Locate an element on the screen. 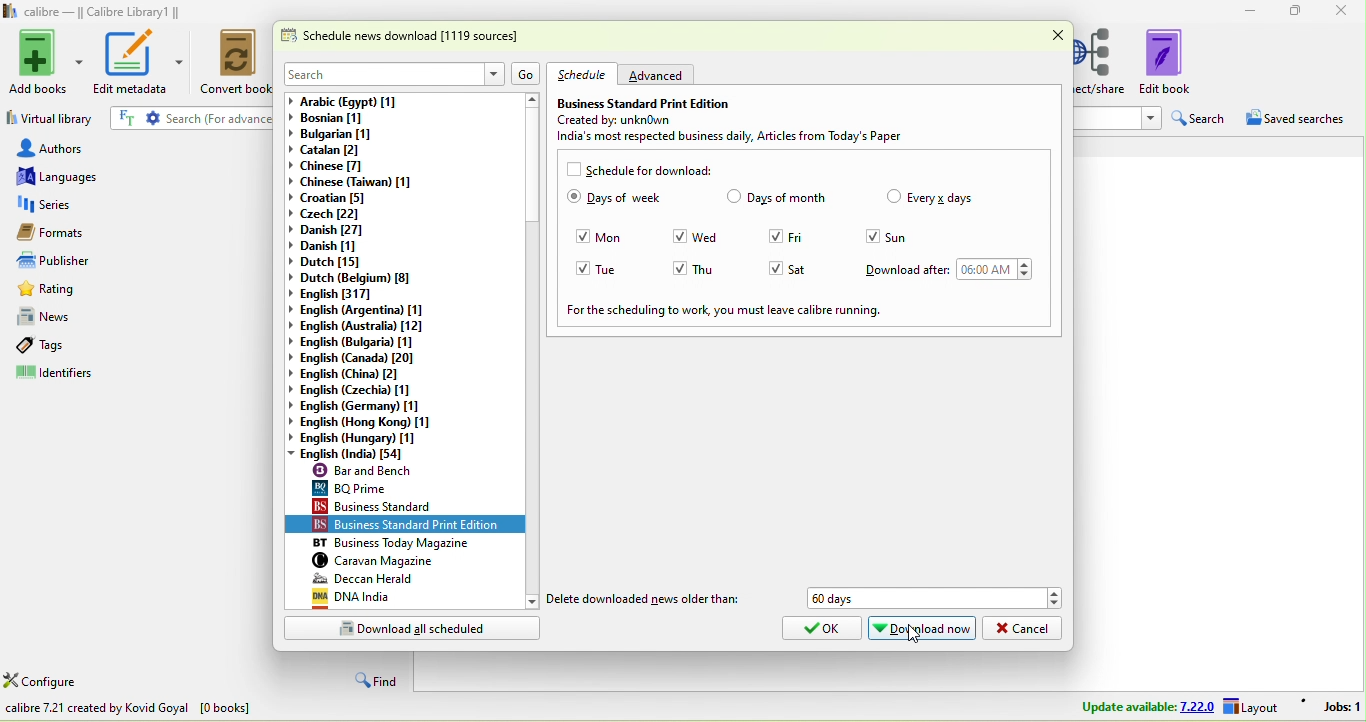 The height and width of the screenshot is (722, 1366). tue is located at coordinates (619, 270).